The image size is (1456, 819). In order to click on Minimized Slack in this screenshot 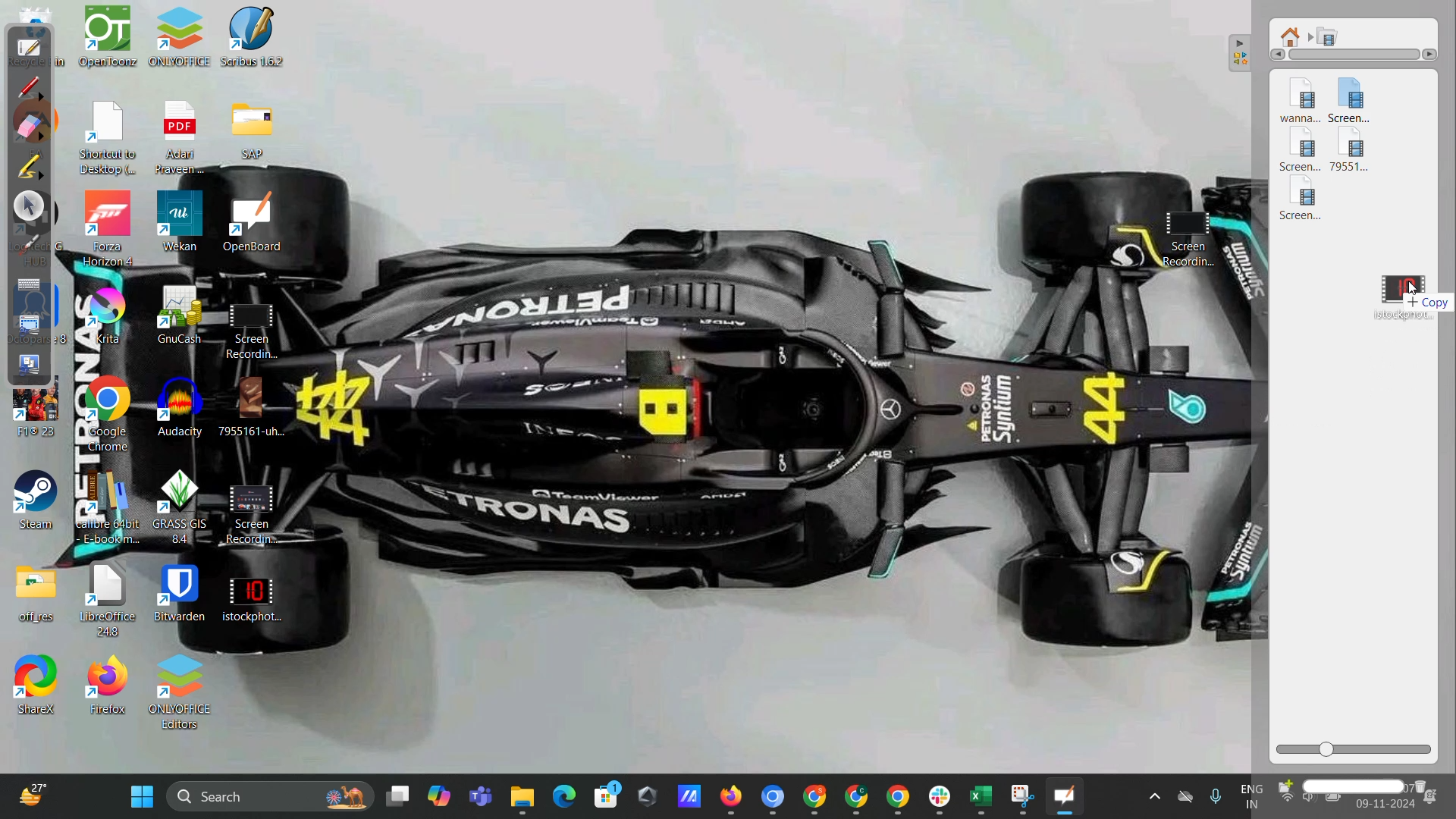, I will do `click(941, 798)`.